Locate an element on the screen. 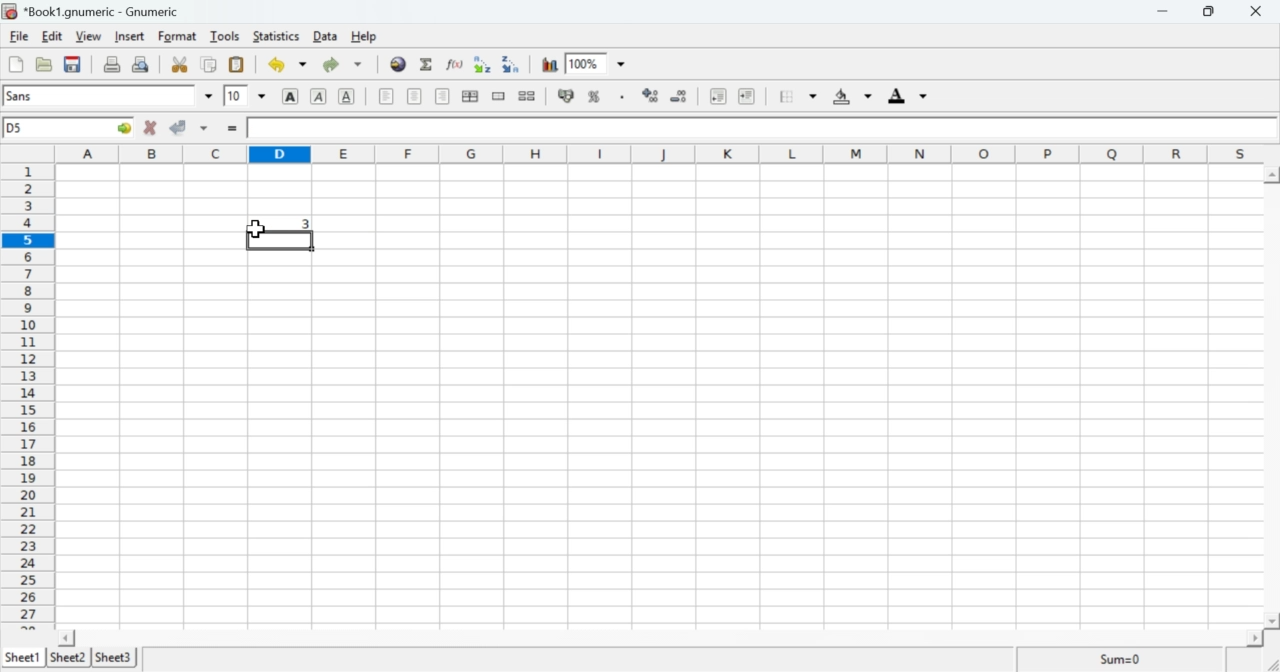 The image size is (1280, 672). Format selection as percentage is located at coordinates (594, 99).